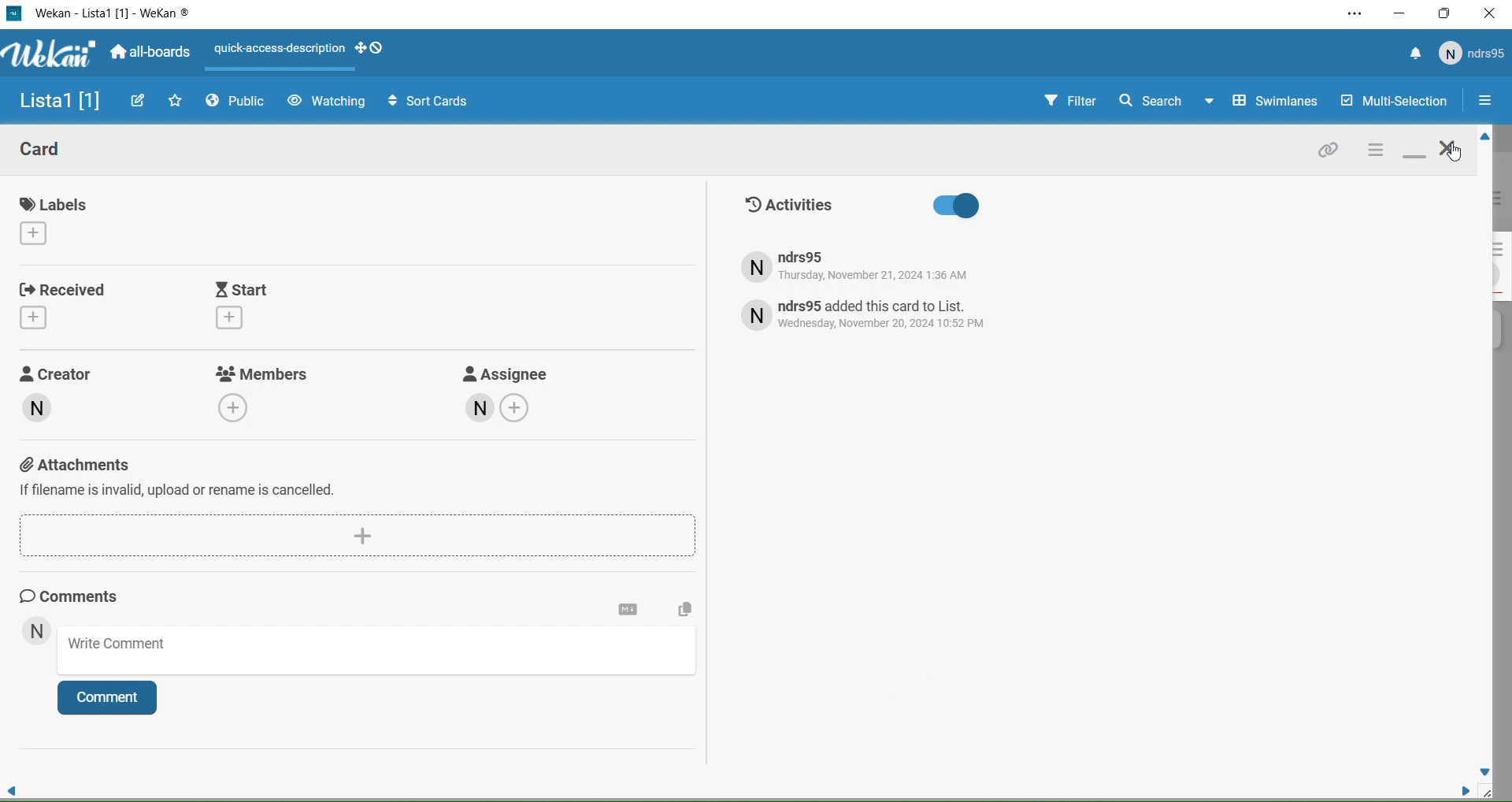 Image resolution: width=1512 pixels, height=802 pixels. Describe the element at coordinates (1484, 102) in the screenshot. I see `Options` at that location.